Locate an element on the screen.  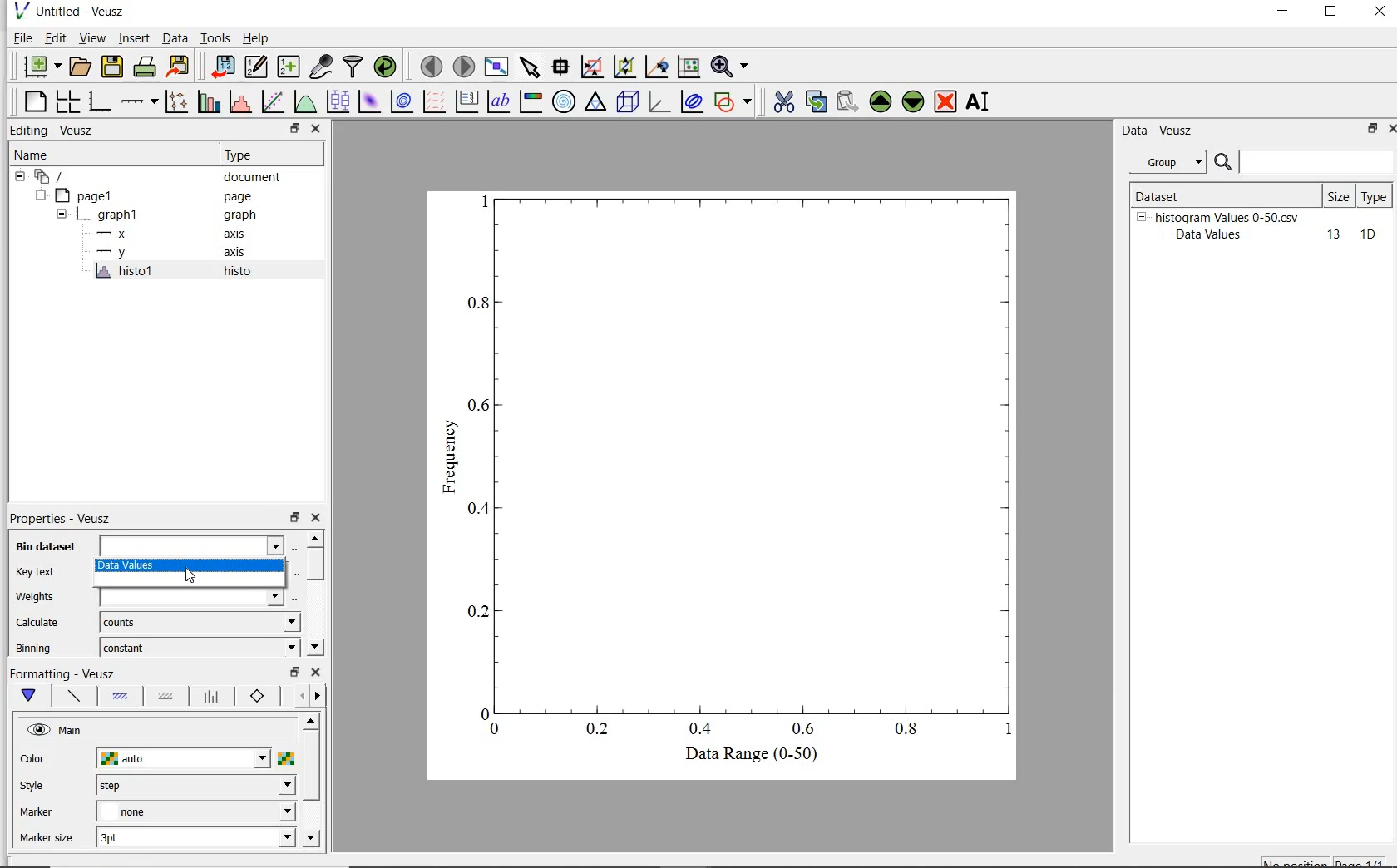
 is located at coordinates (241, 215).